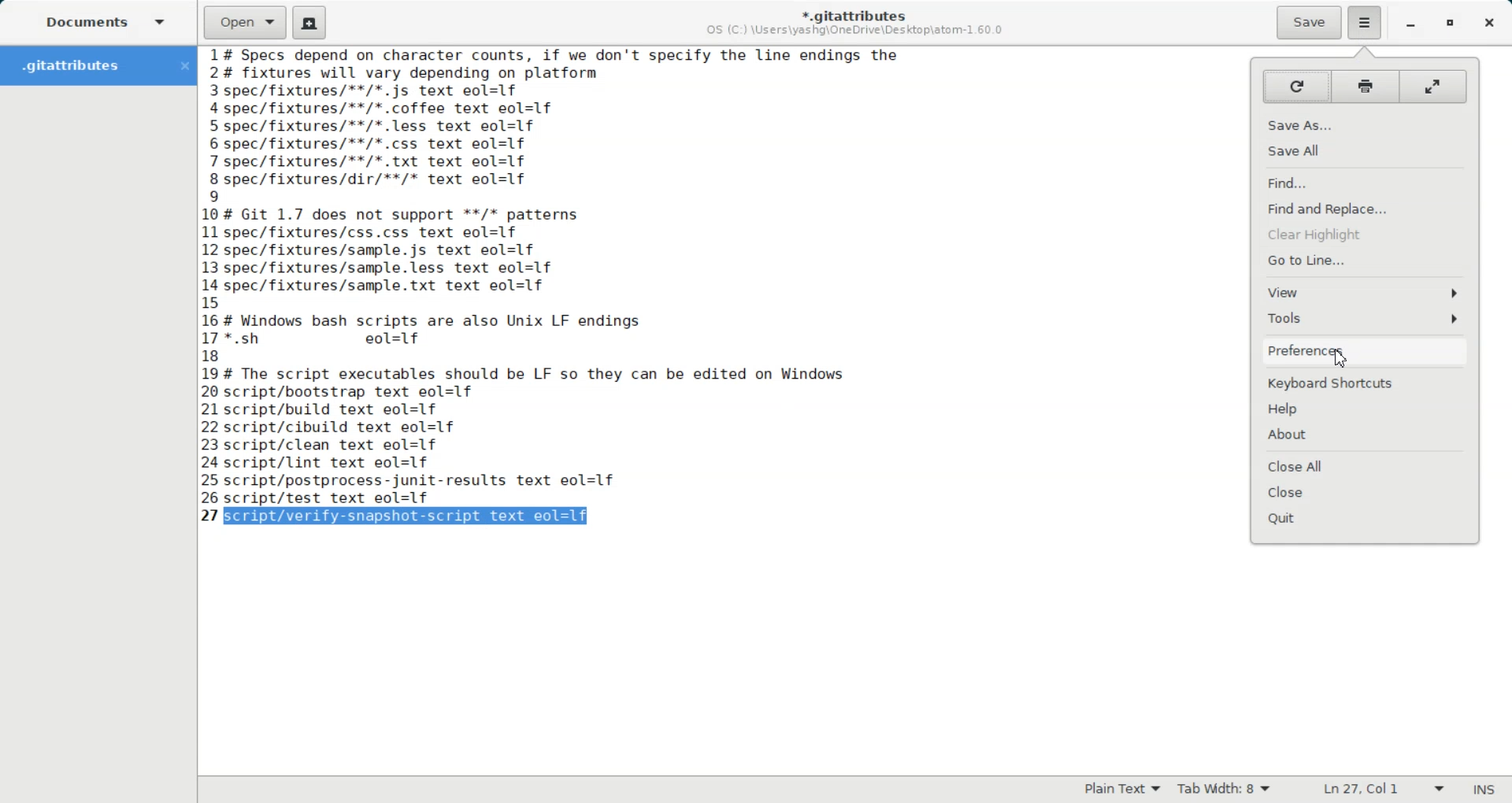  Describe the element at coordinates (212, 515) in the screenshot. I see `text line number: 27` at that location.